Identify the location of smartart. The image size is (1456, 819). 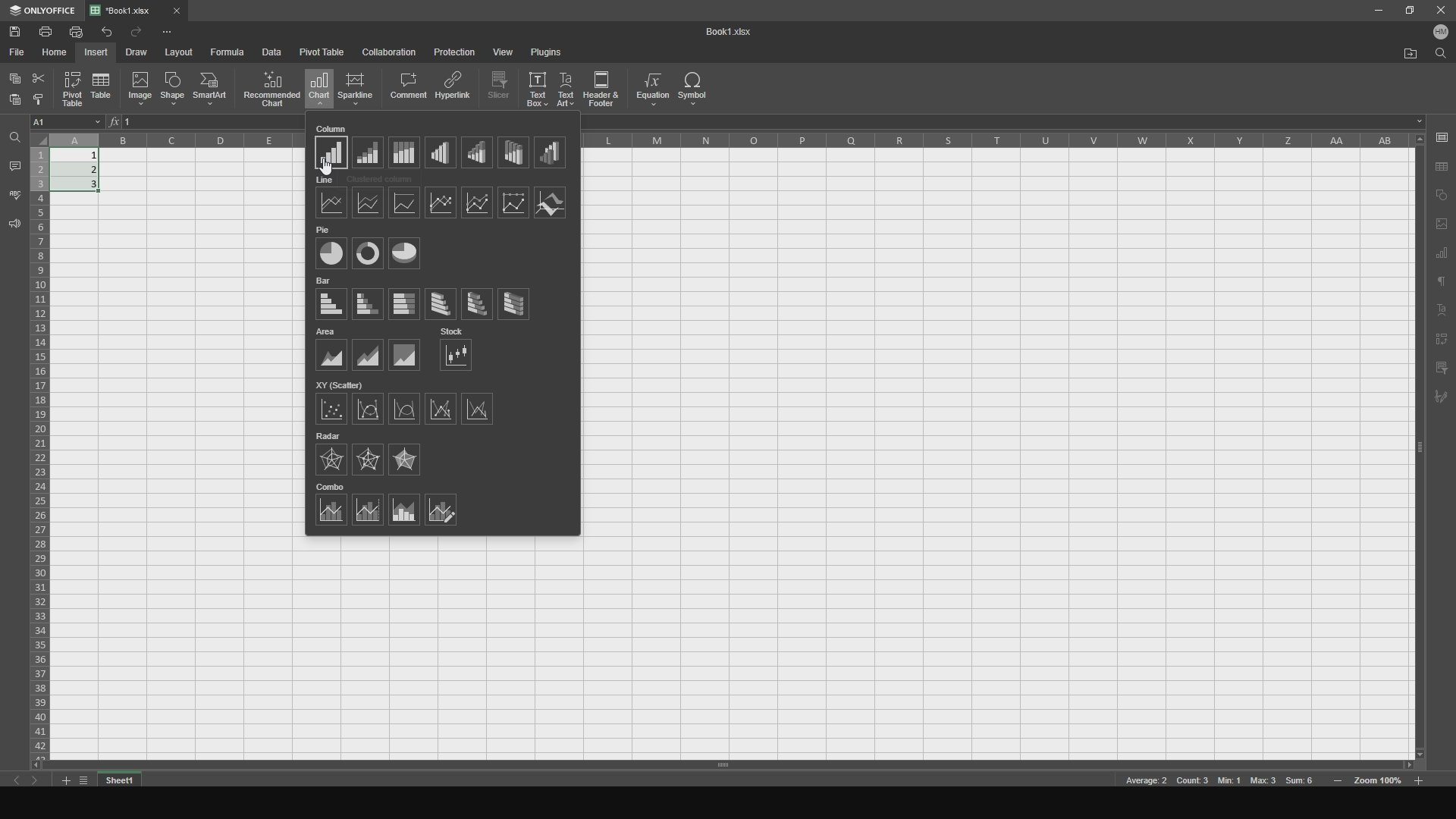
(212, 93).